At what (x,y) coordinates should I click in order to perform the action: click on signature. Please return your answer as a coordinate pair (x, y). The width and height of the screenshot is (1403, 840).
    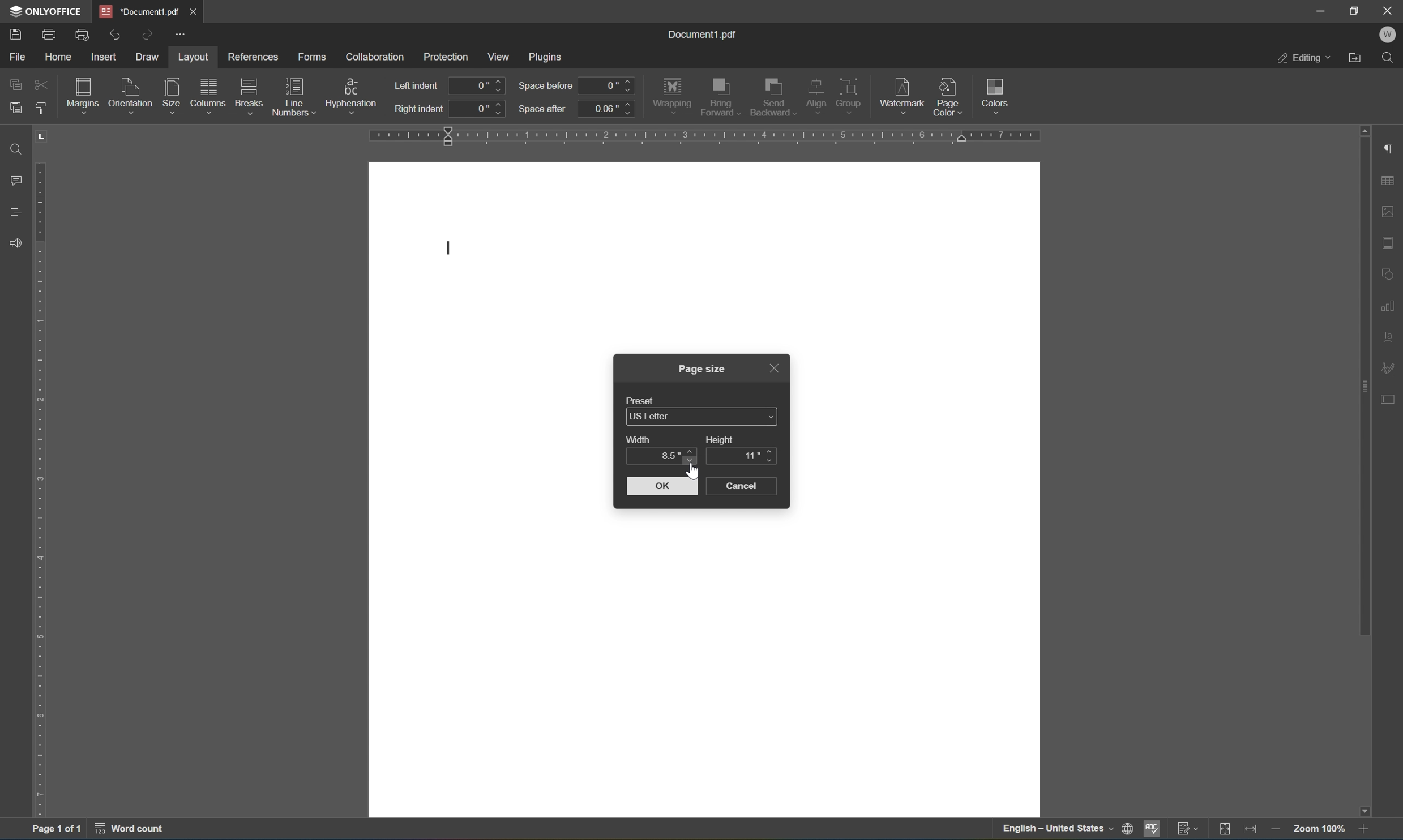
    Looking at the image, I should click on (1391, 366).